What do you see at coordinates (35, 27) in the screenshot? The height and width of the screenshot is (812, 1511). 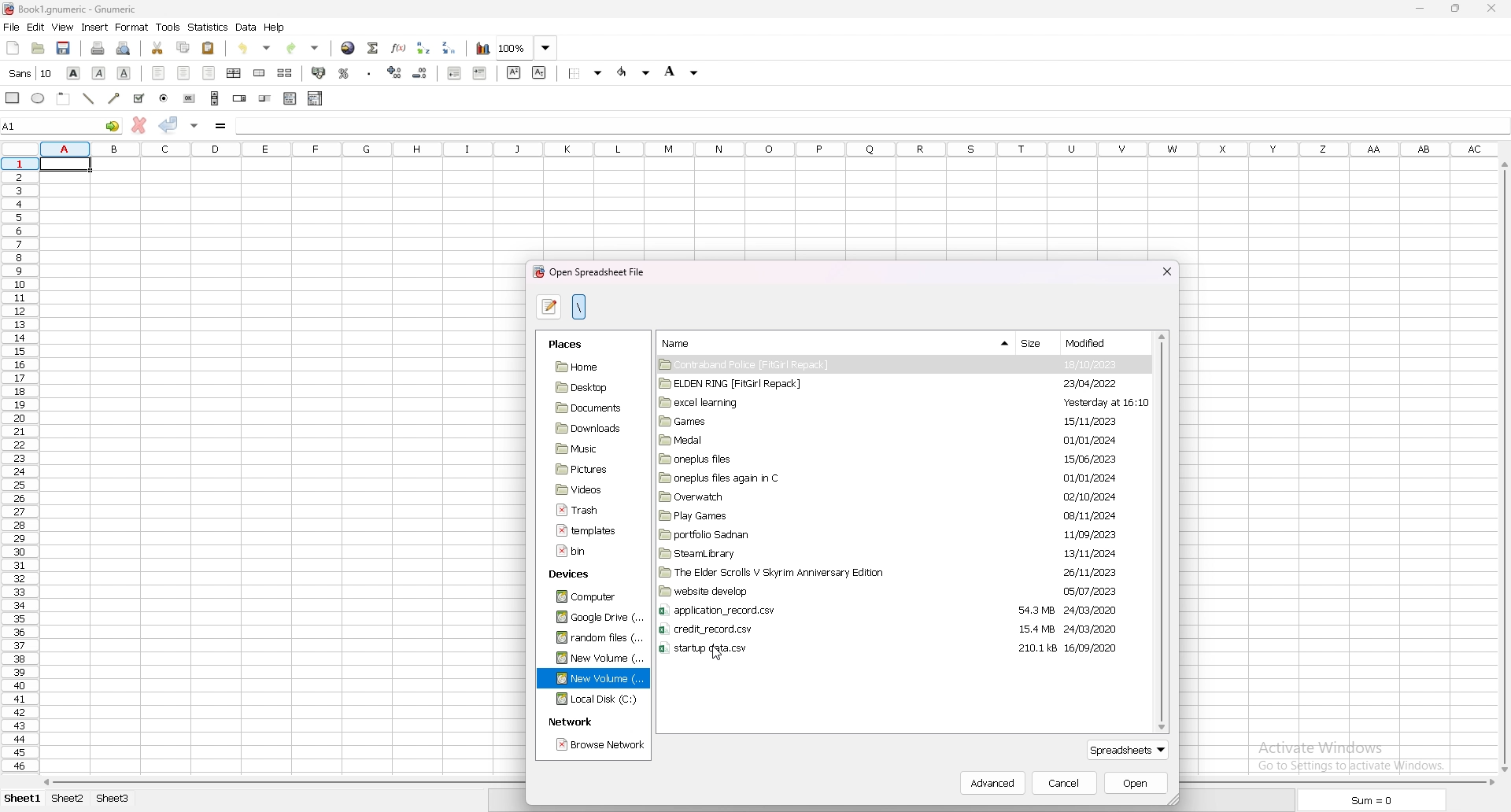 I see `edit` at bounding box center [35, 27].